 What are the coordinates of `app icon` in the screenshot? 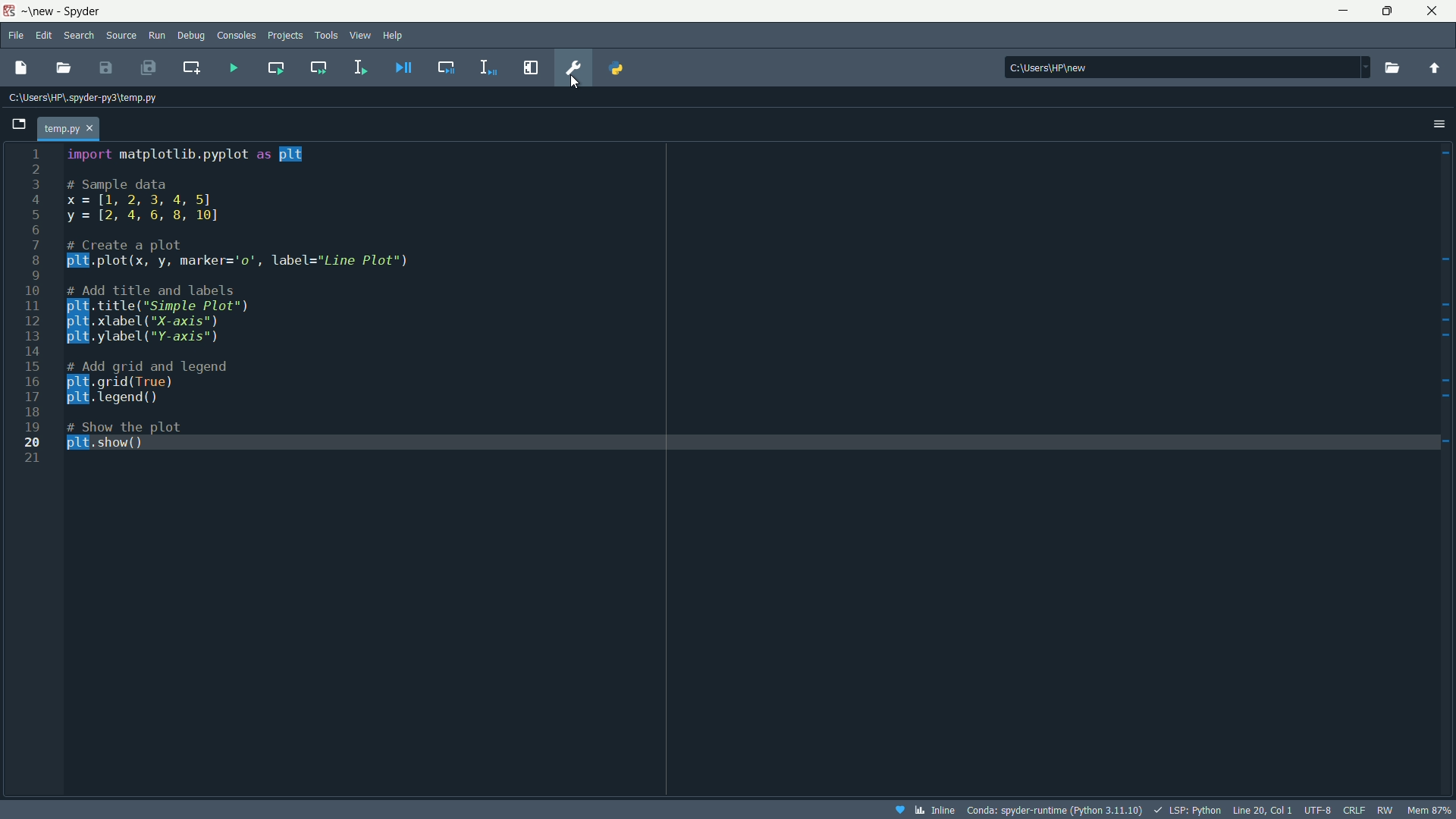 It's located at (8, 11).